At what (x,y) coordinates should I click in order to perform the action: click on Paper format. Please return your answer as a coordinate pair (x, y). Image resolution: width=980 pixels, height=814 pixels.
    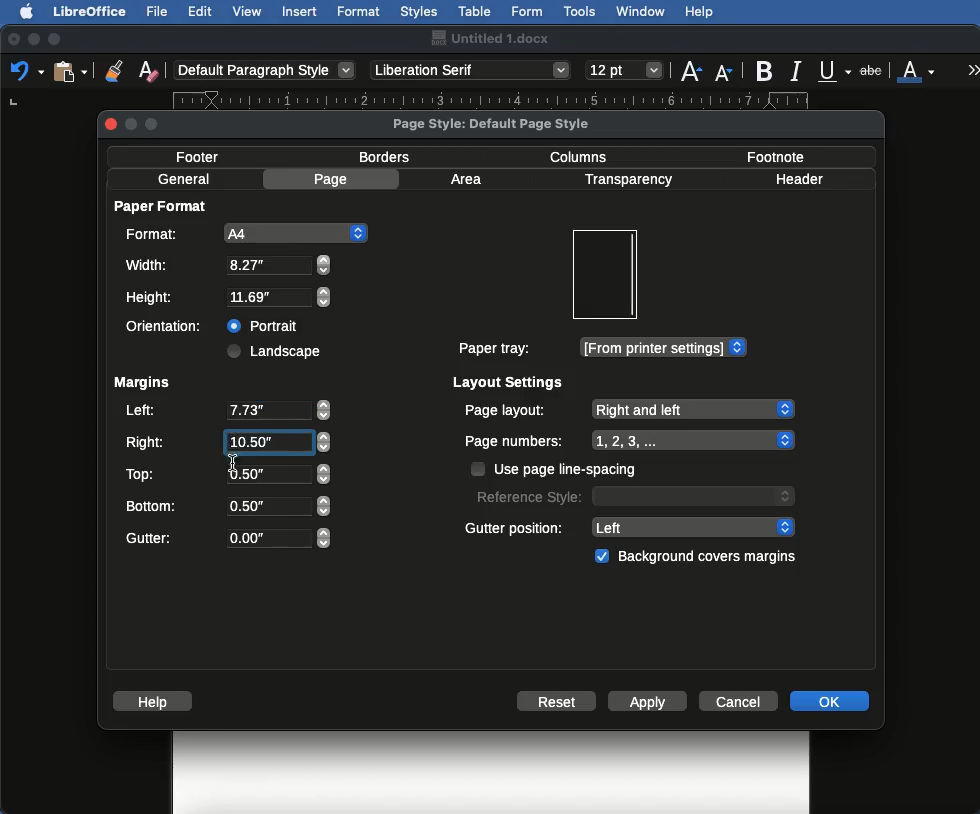
    Looking at the image, I should click on (162, 205).